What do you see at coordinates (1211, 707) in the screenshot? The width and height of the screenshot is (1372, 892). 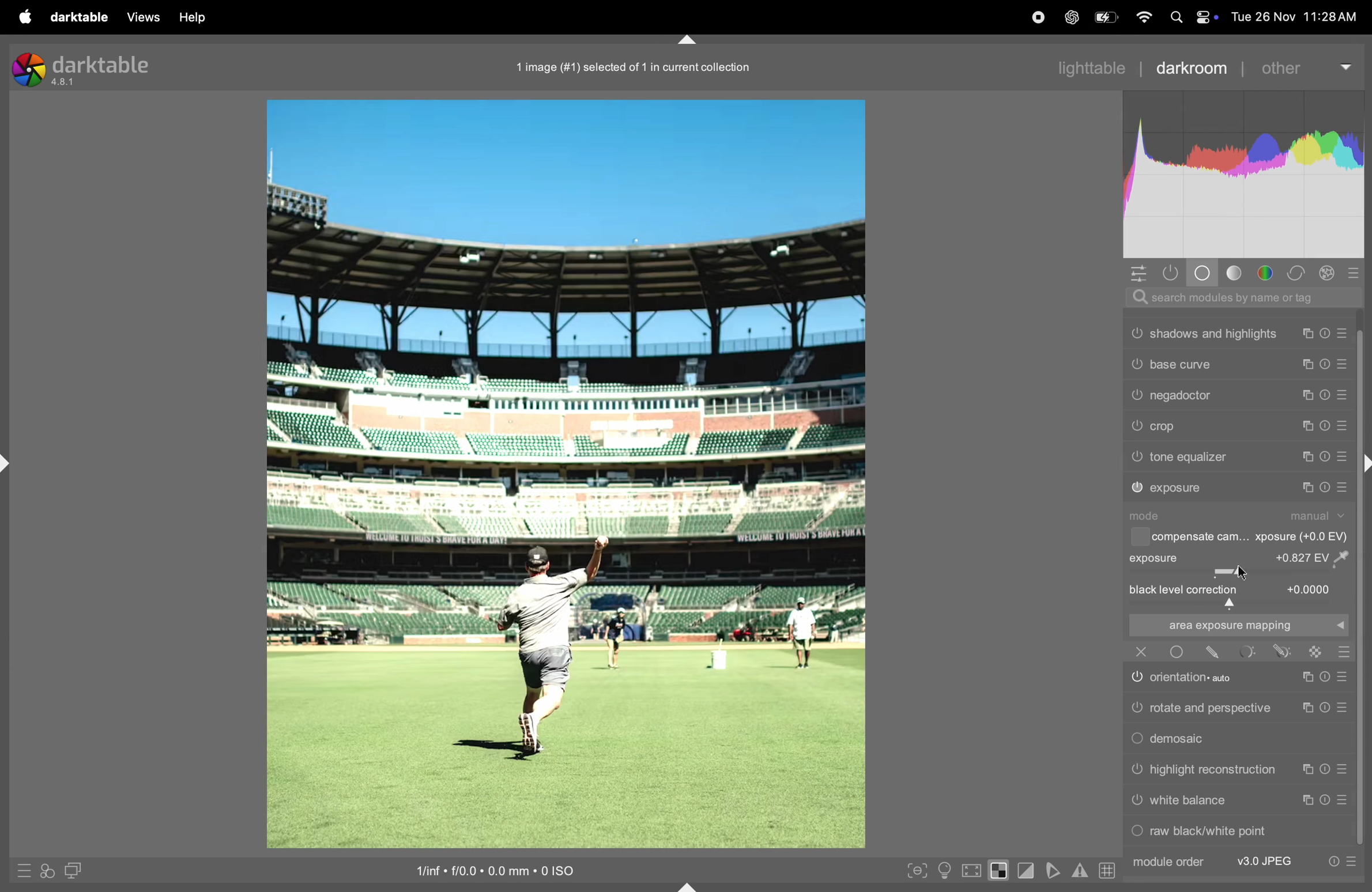 I see `rotate and perspective` at bounding box center [1211, 707].